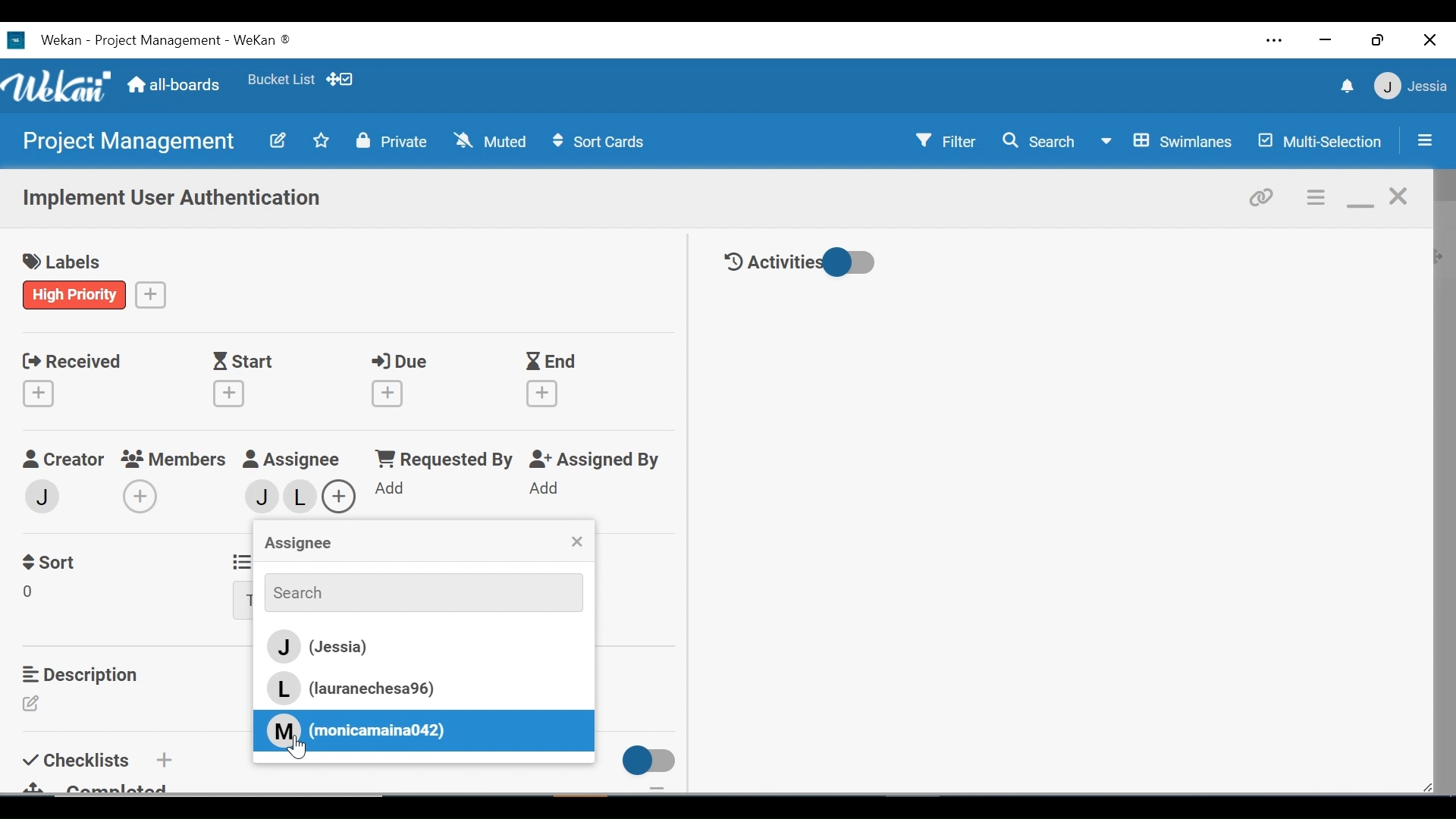  Describe the element at coordinates (403, 362) in the screenshot. I see `Due Date` at that location.